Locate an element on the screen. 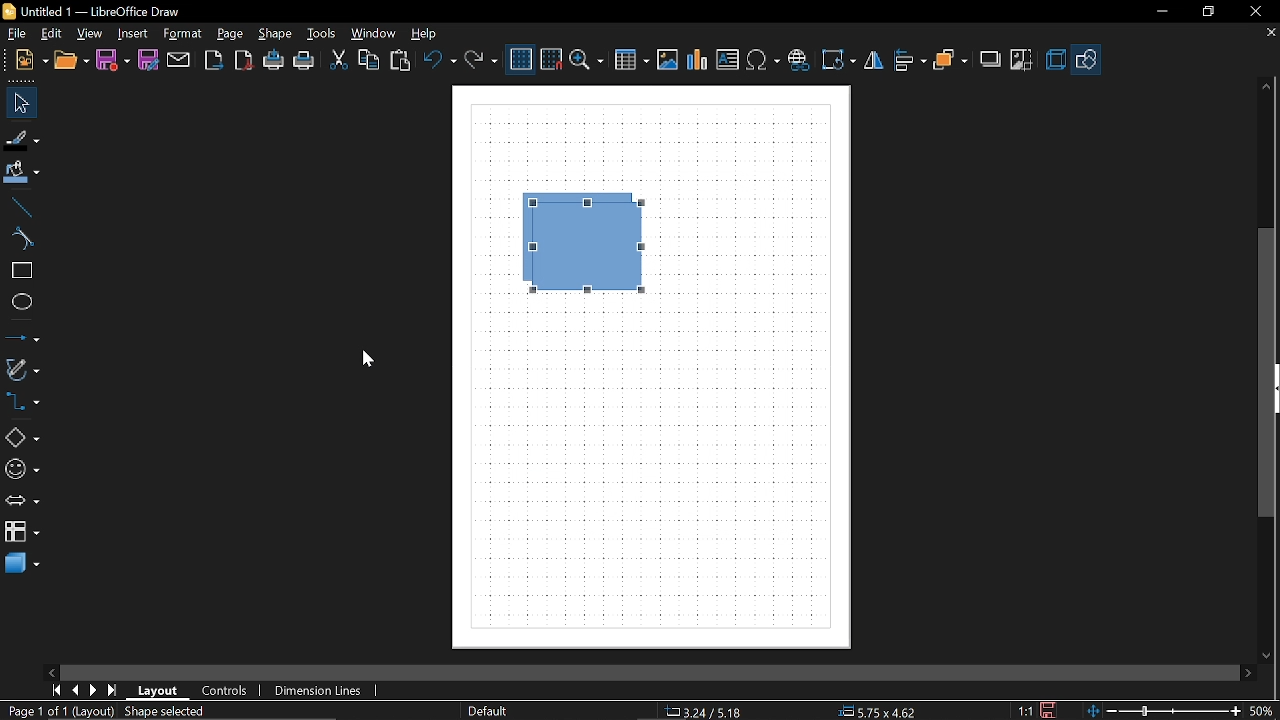  New is located at coordinates (32, 62).